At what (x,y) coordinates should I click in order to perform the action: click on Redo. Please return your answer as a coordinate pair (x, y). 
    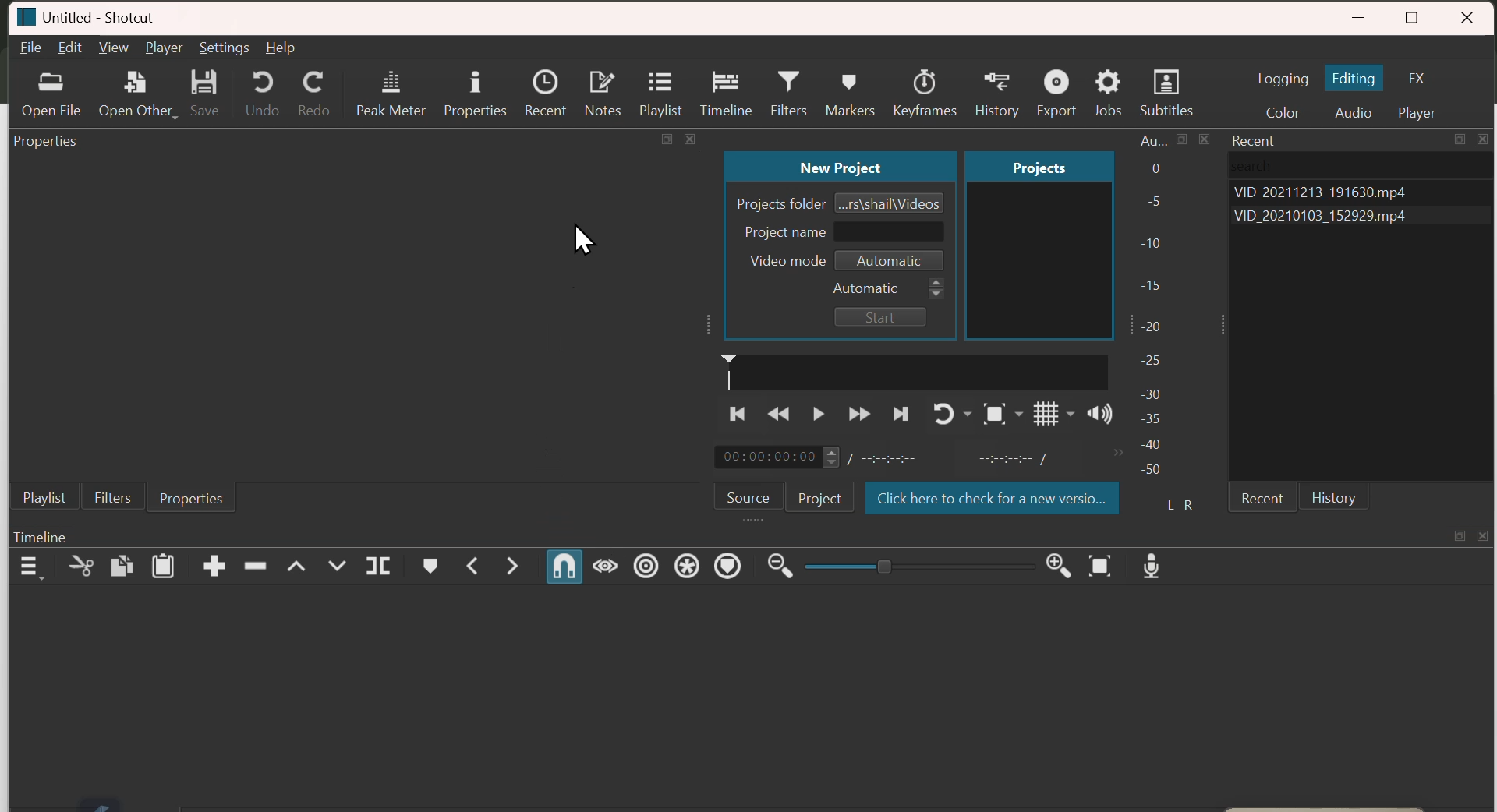
    Looking at the image, I should click on (310, 88).